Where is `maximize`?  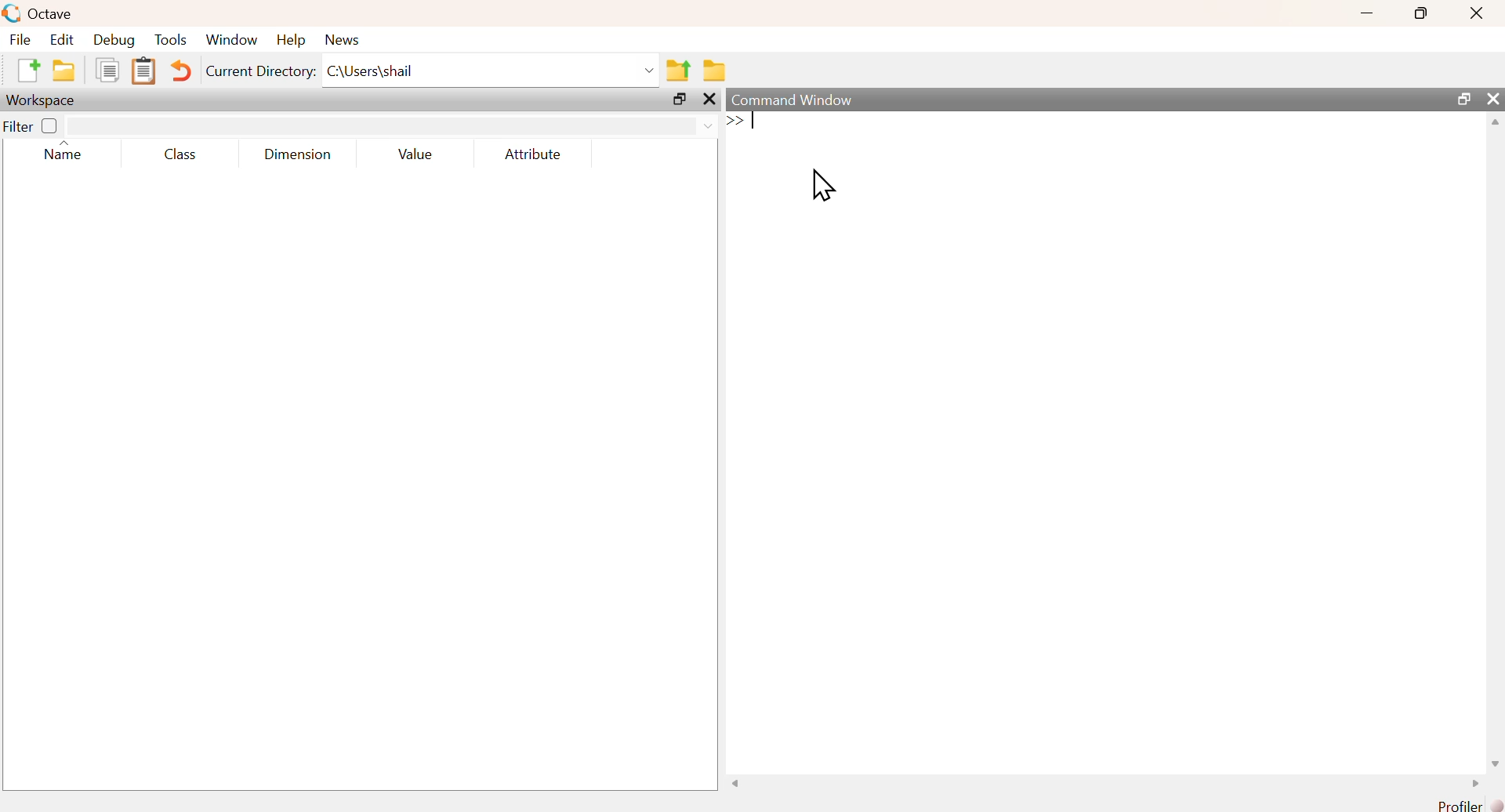 maximize is located at coordinates (1463, 97).